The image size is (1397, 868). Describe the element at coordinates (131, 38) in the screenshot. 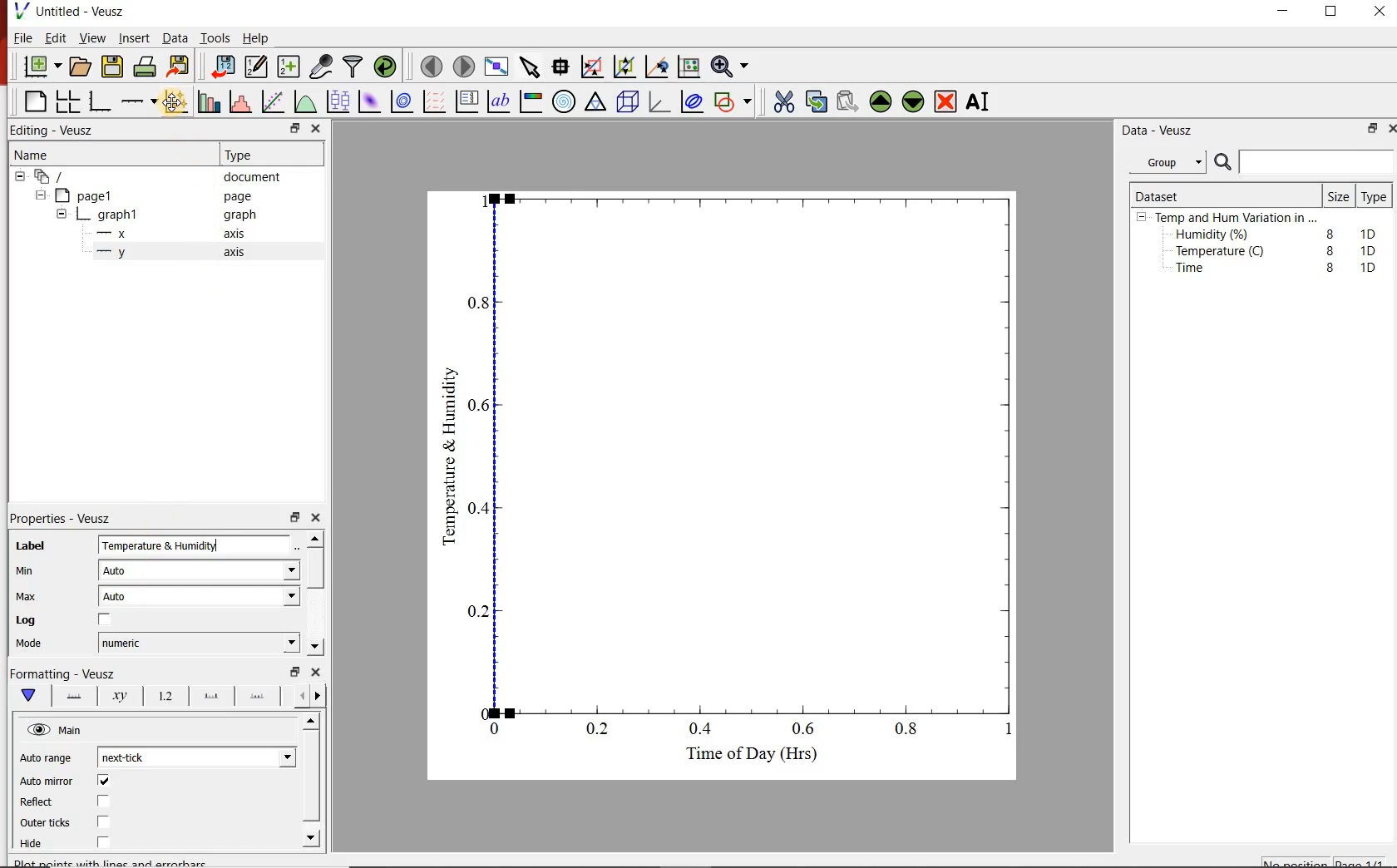

I see `Insert` at that location.